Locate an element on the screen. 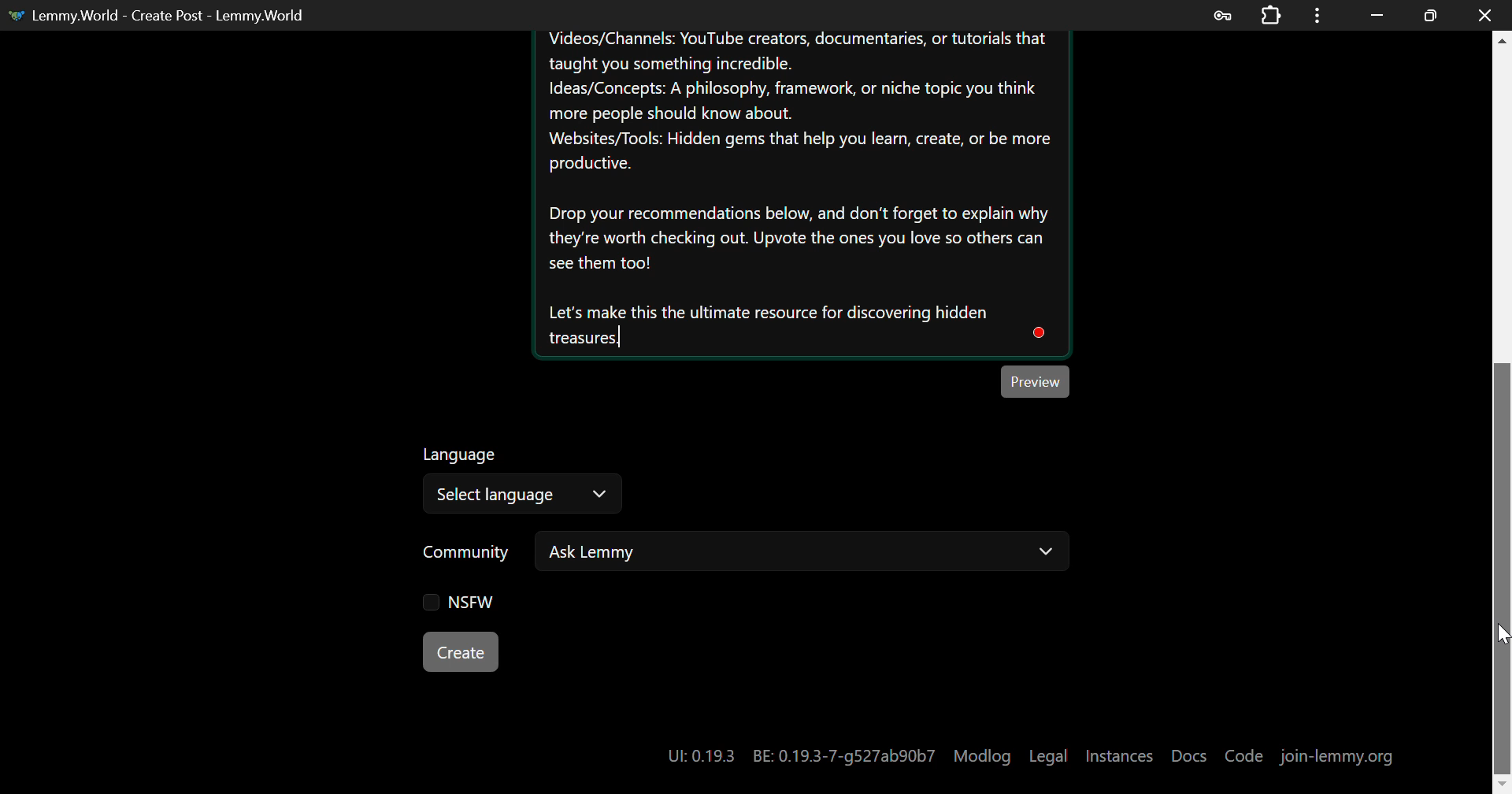  Underrated Recommendations Post is located at coordinates (799, 194).